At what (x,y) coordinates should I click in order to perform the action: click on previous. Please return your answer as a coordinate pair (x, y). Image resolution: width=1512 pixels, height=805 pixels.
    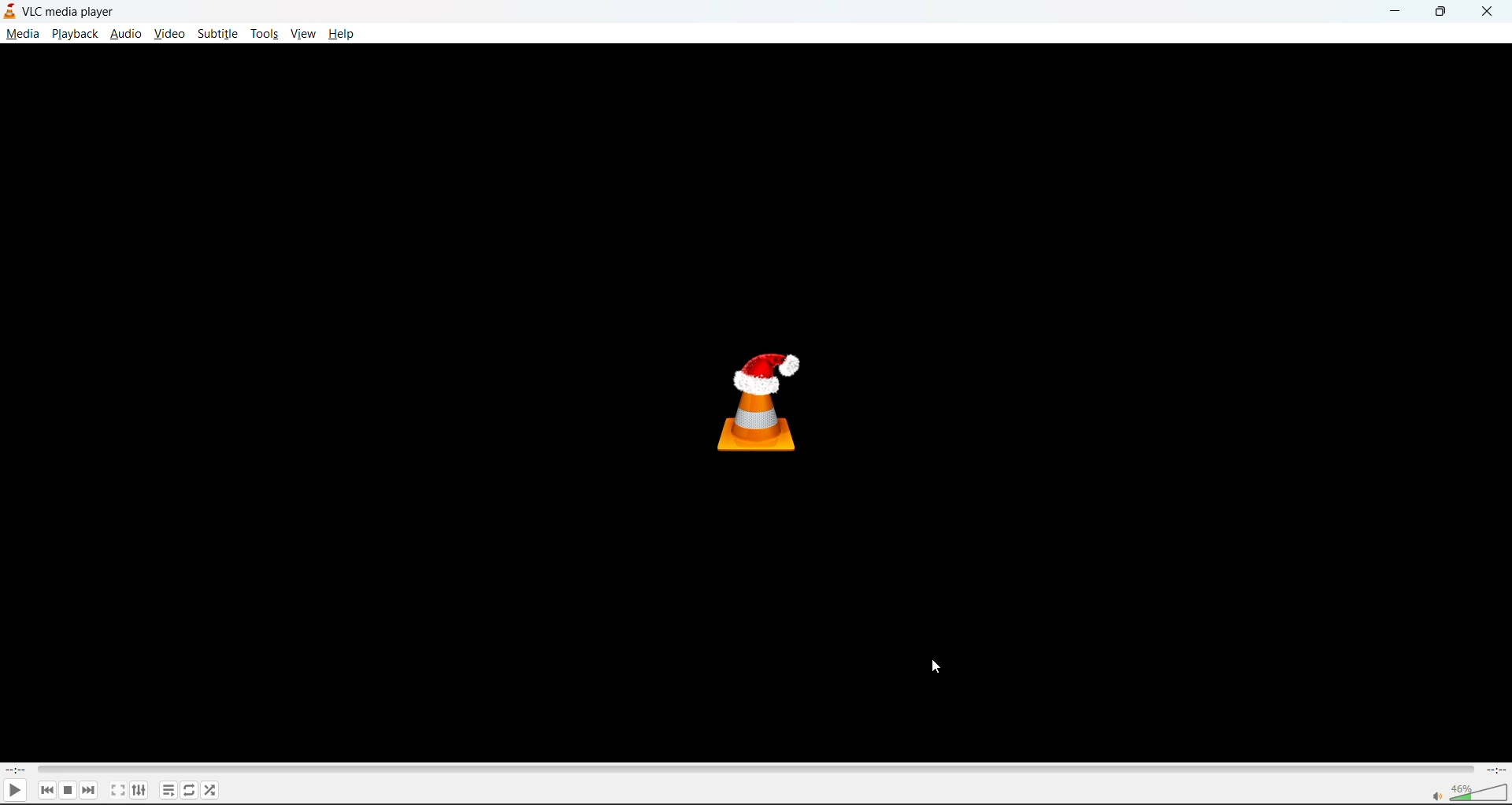
    Looking at the image, I should click on (46, 791).